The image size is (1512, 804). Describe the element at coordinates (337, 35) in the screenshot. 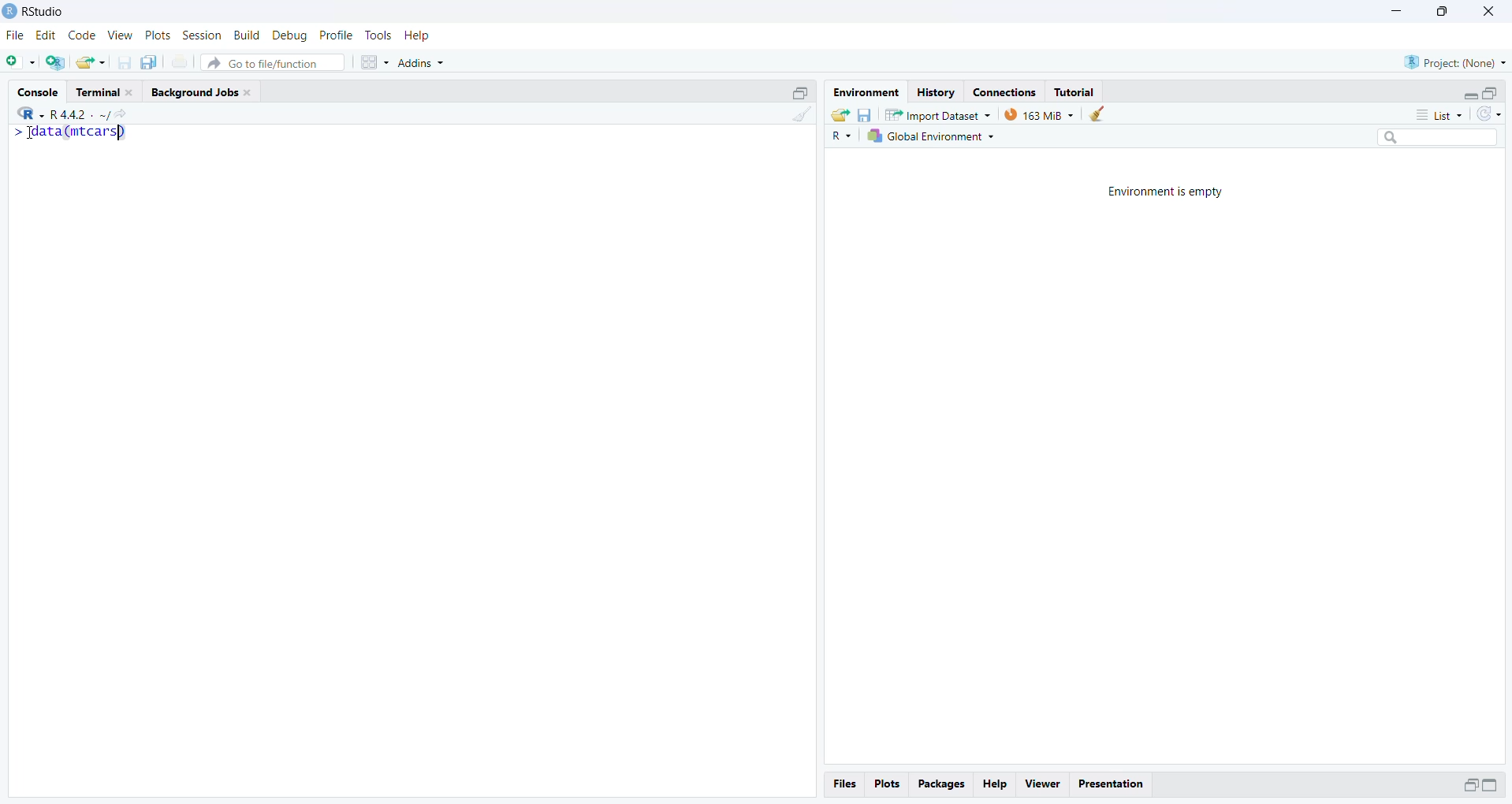

I see `profile` at that location.